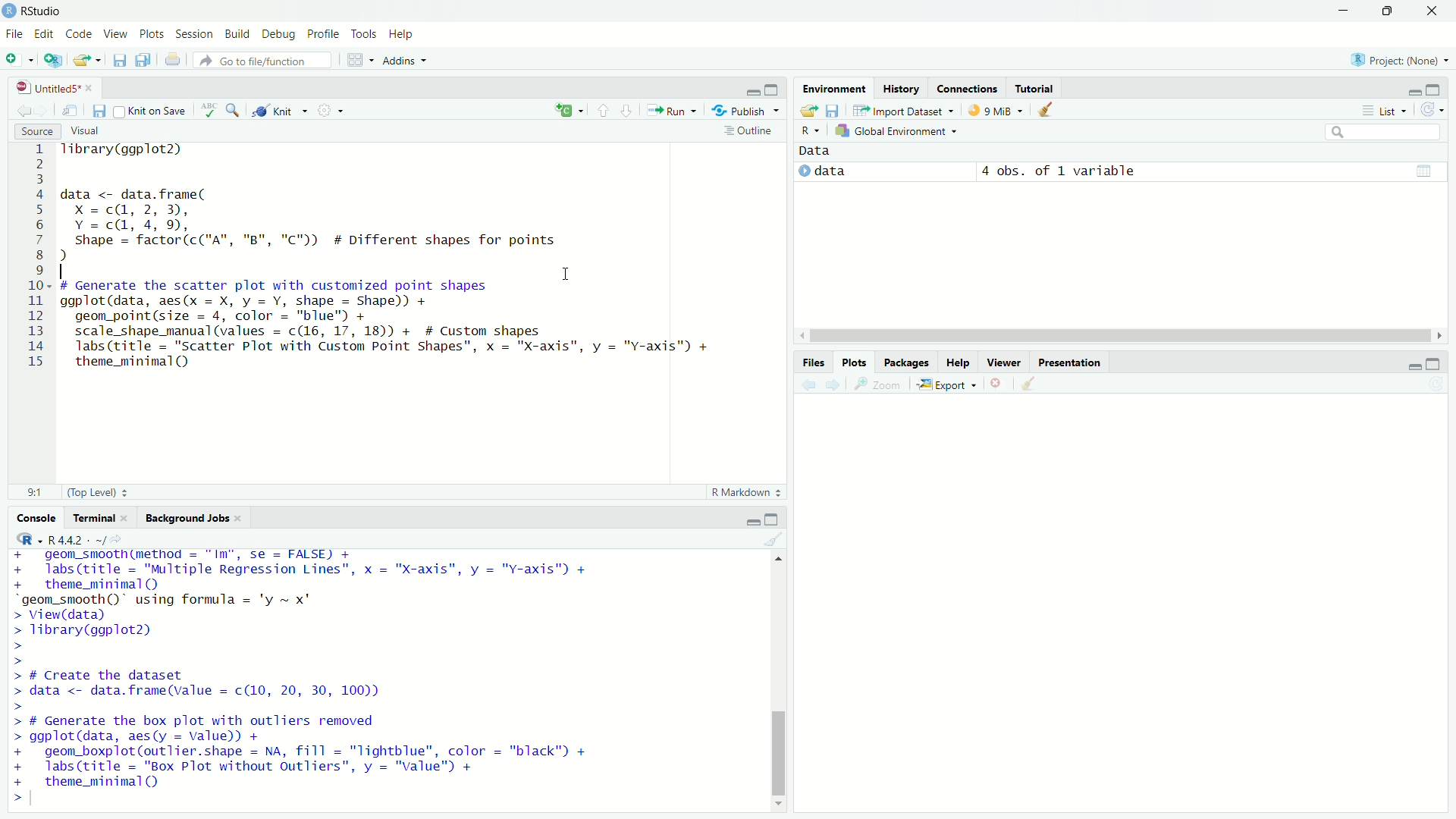 This screenshot has height=819, width=1456. What do you see at coordinates (903, 111) in the screenshot?
I see `Import Dataset` at bounding box center [903, 111].